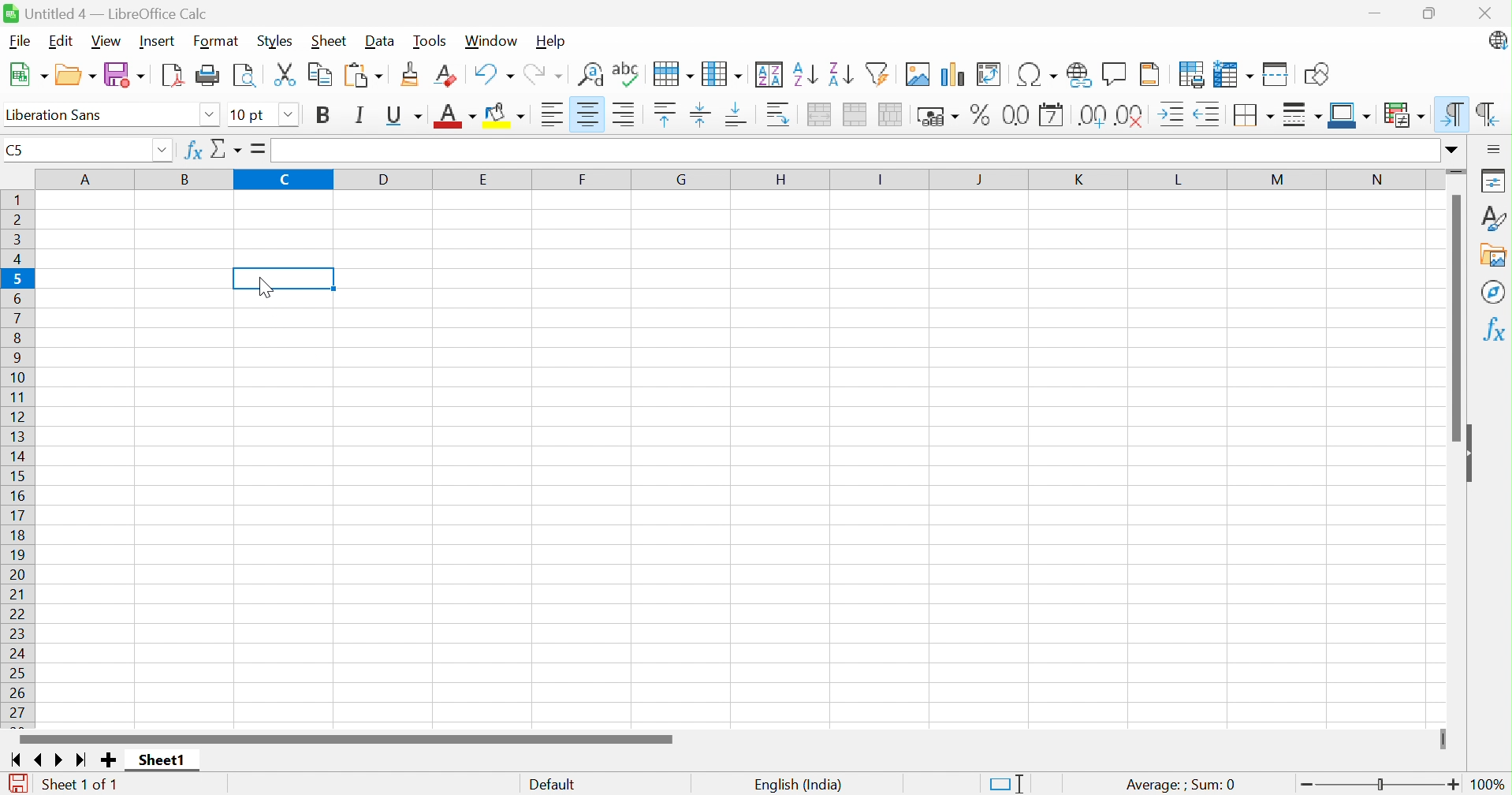 This screenshot has width=1512, height=795. What do you see at coordinates (431, 40) in the screenshot?
I see `Tools` at bounding box center [431, 40].